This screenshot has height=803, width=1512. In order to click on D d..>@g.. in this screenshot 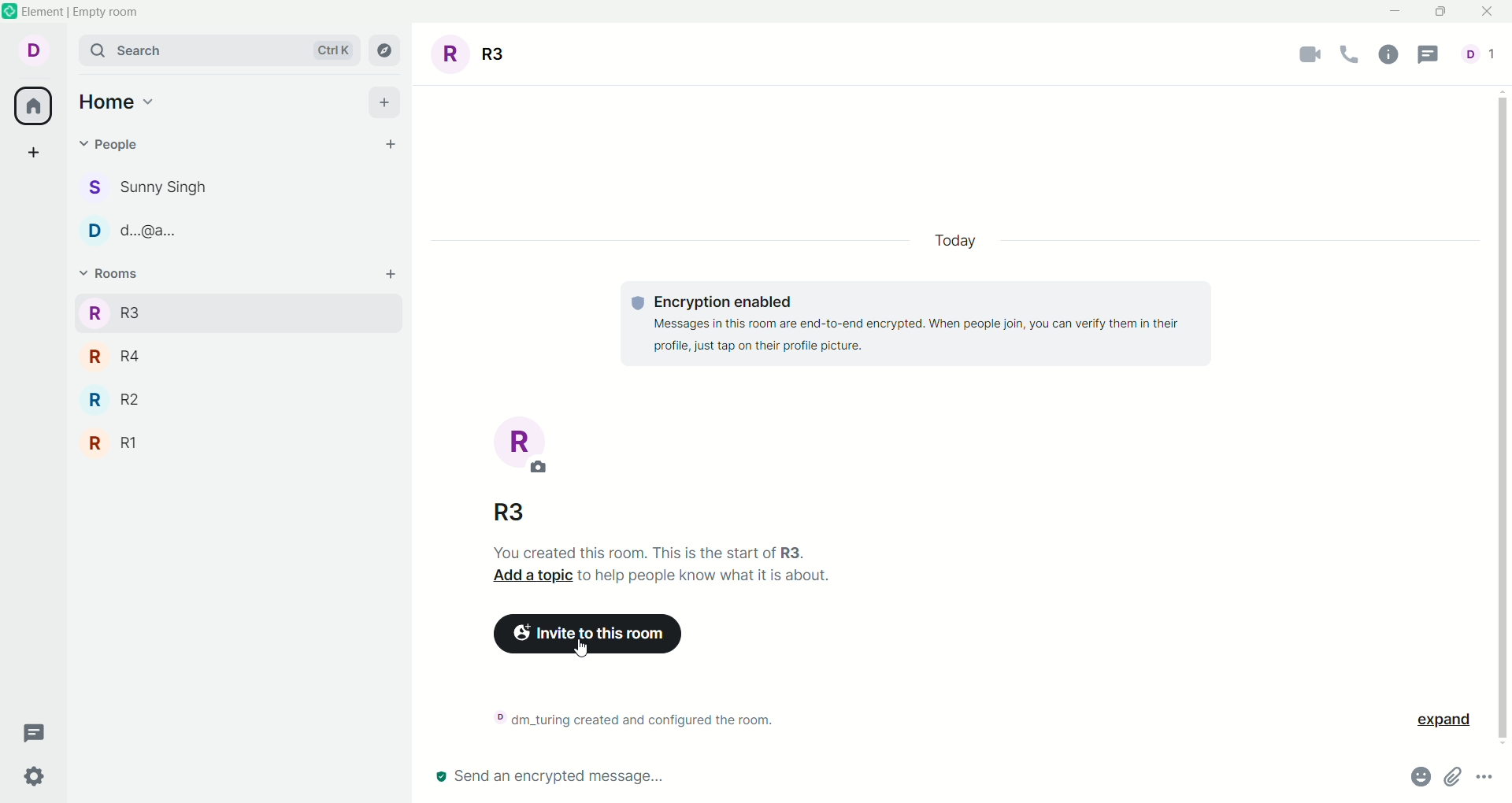, I will do `click(139, 227)`.